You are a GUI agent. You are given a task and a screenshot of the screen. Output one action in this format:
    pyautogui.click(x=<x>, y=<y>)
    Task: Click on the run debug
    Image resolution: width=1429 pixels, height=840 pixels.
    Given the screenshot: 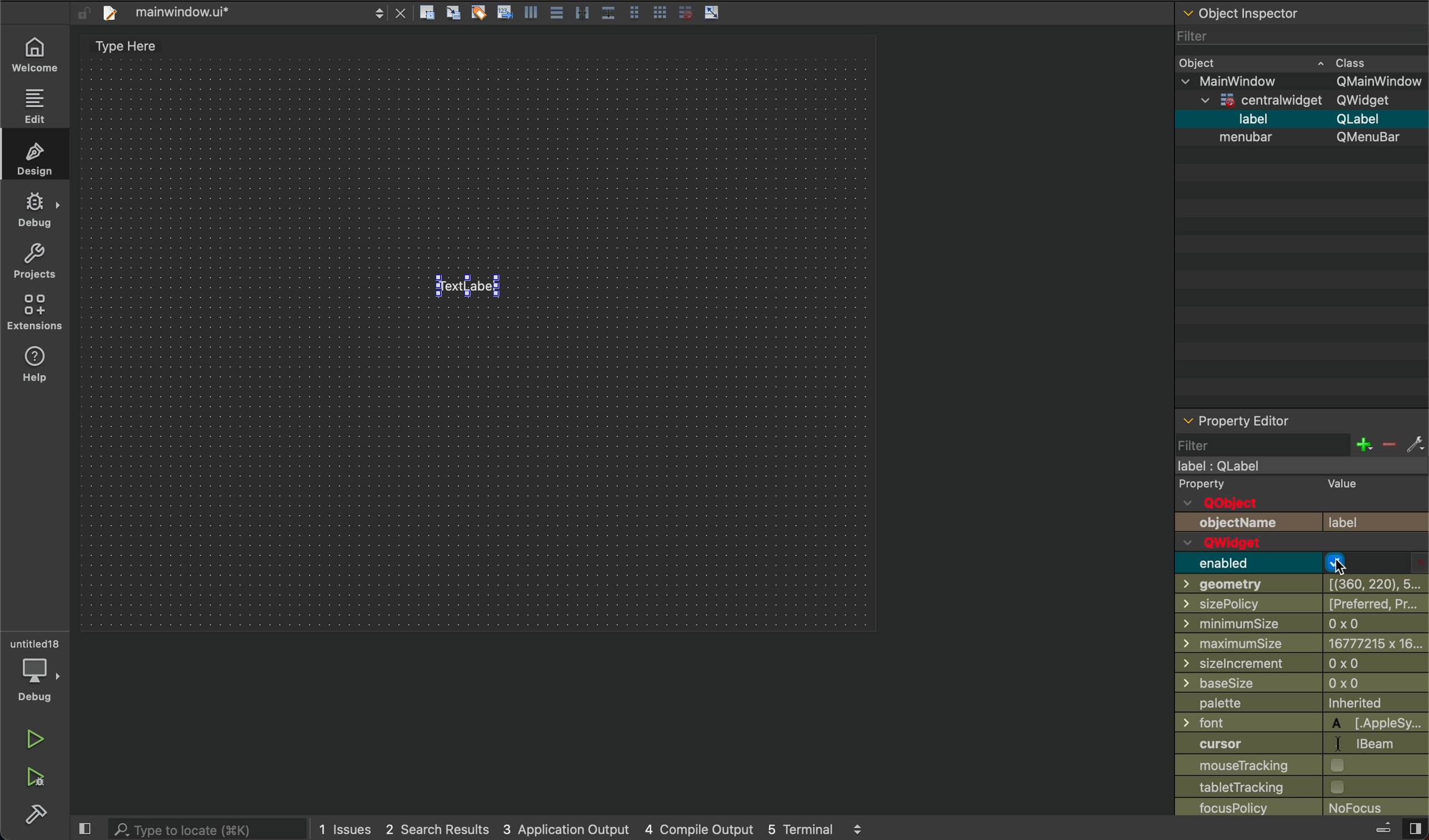 What is the action you would take?
    pyautogui.click(x=37, y=775)
    